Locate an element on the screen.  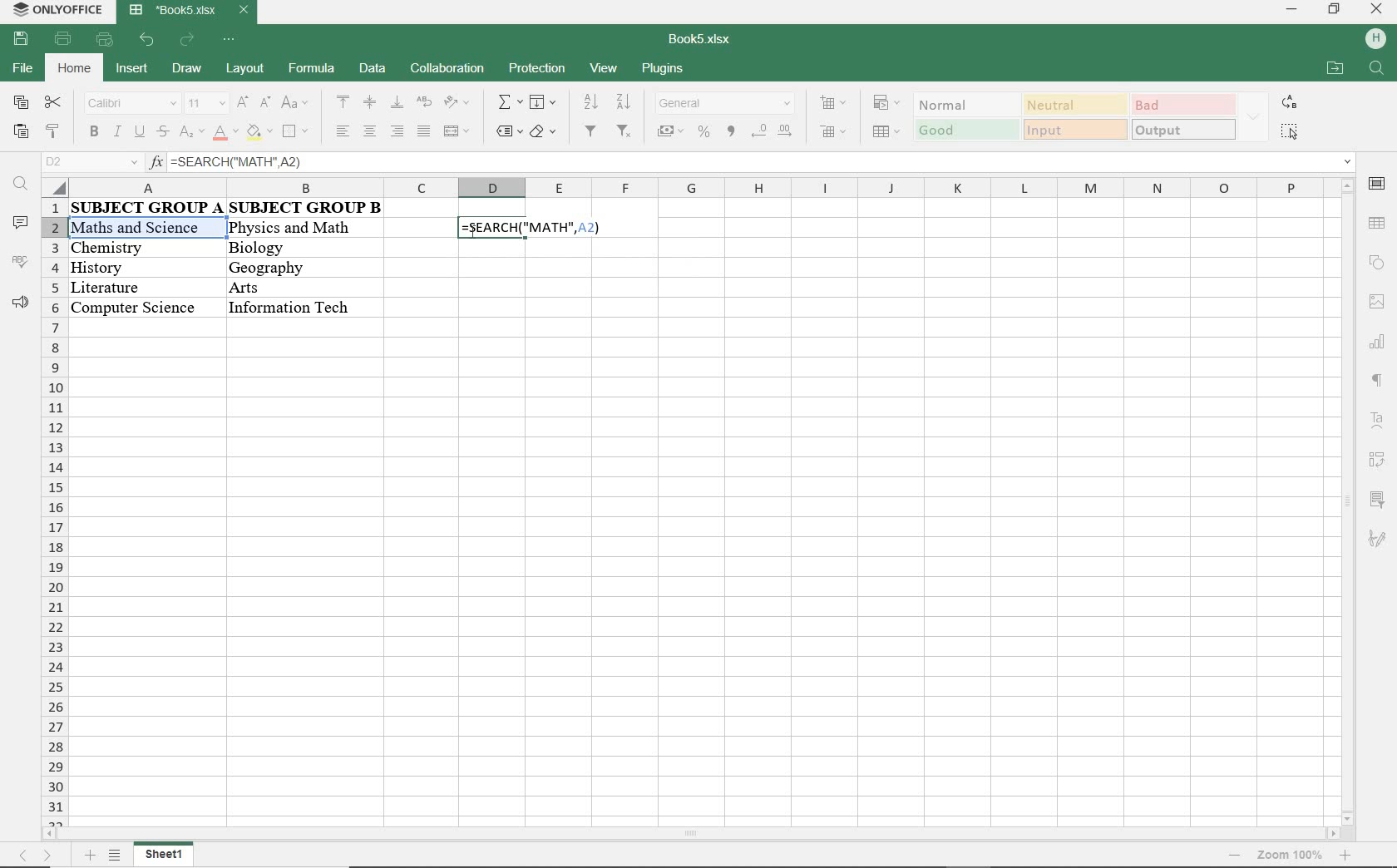
columns is located at coordinates (684, 187).